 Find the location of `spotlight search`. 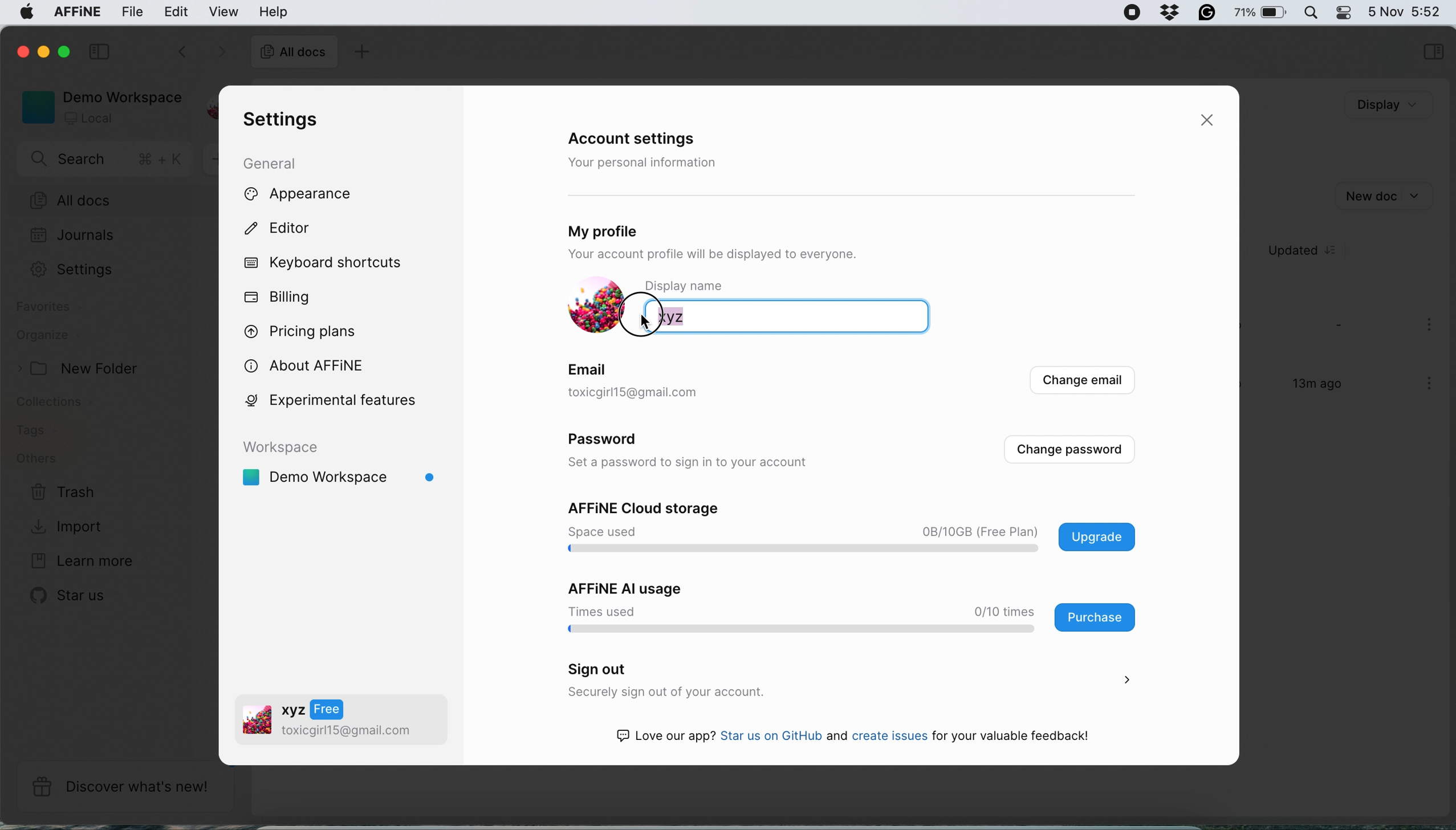

spotlight search is located at coordinates (1309, 12).